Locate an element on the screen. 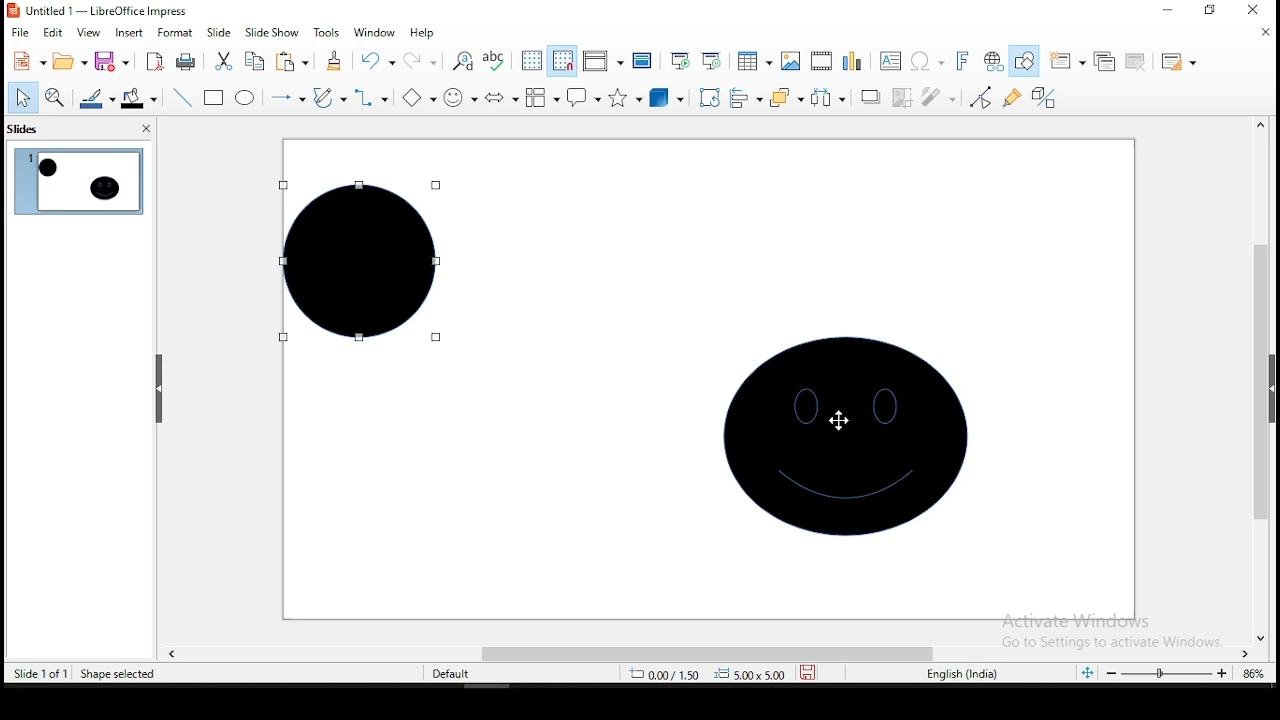 The image size is (1280, 720). scroll bar is located at coordinates (1267, 379).